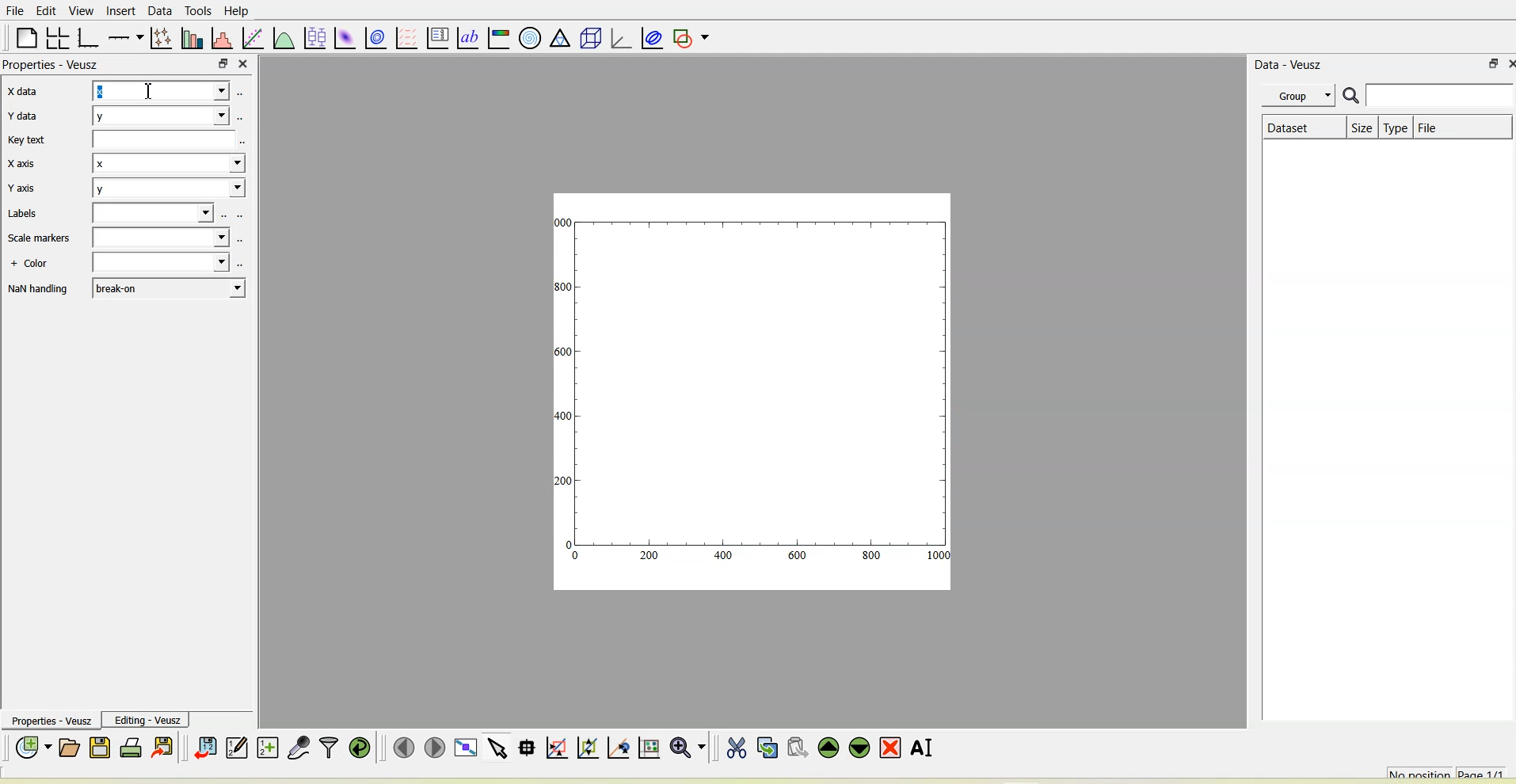 The height and width of the screenshot is (784, 1516). What do you see at coordinates (799, 555) in the screenshot?
I see `600` at bounding box center [799, 555].